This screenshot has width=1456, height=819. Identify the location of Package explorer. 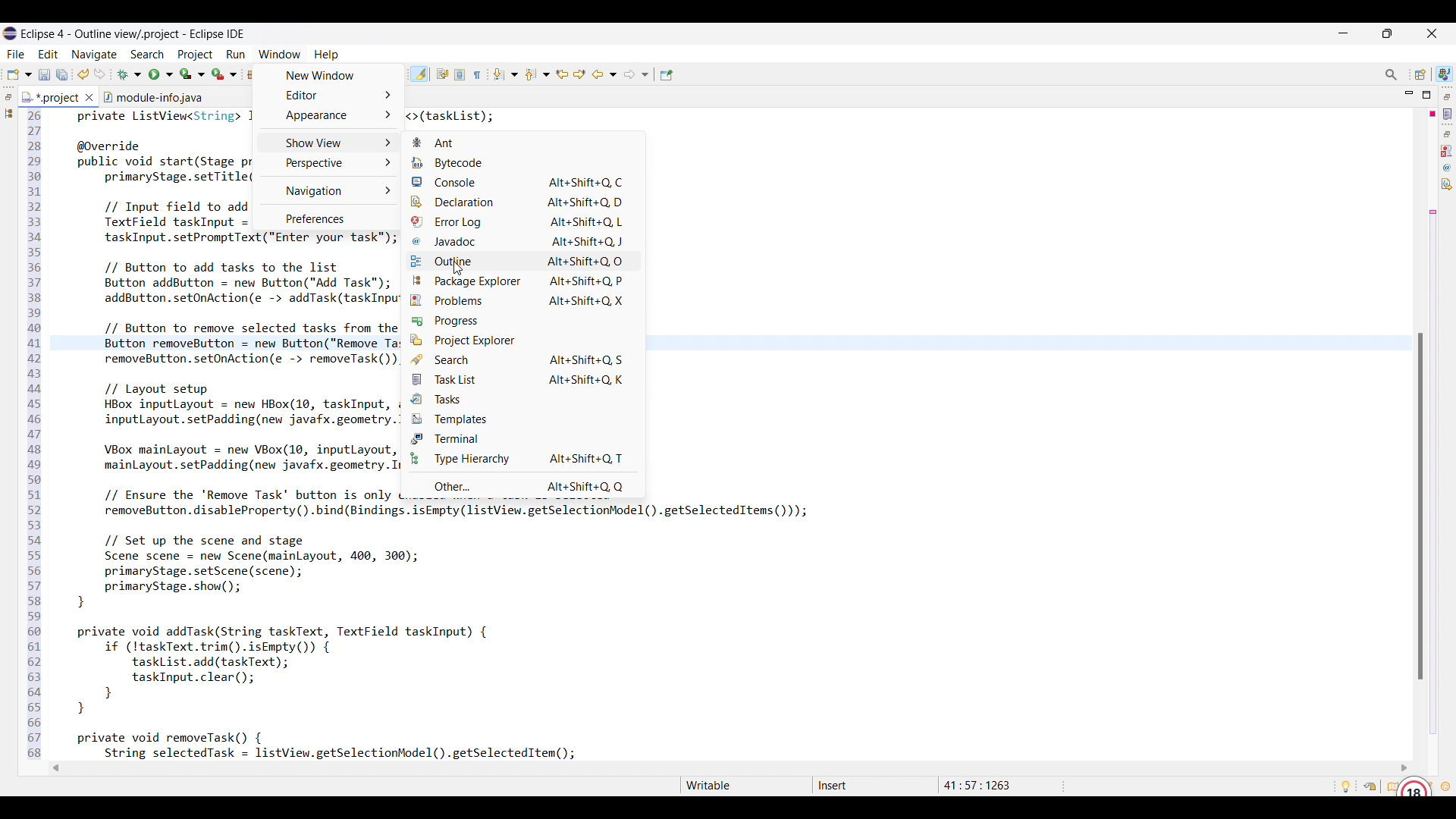
(522, 281).